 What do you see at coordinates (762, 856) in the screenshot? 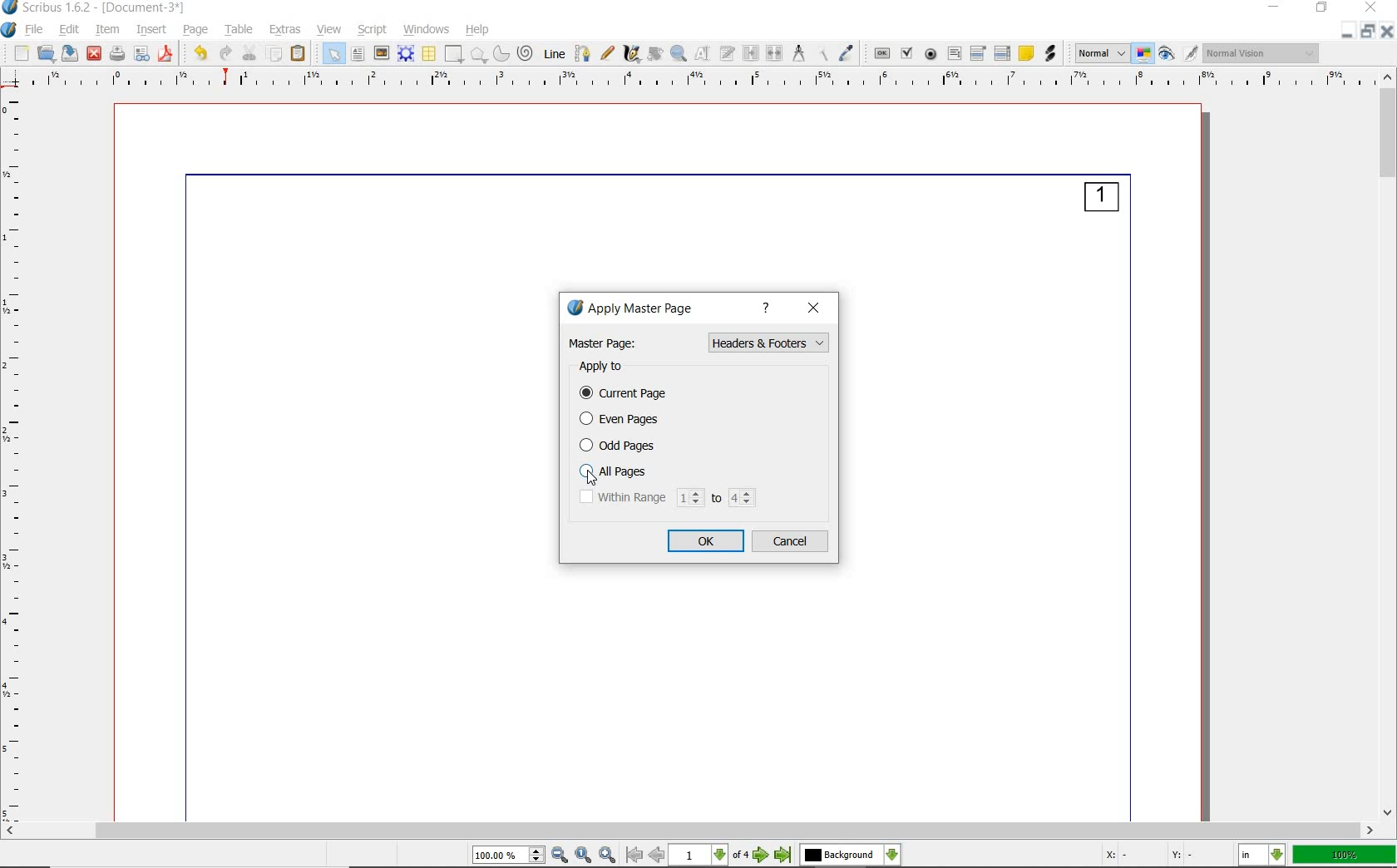
I see `go to next page` at bounding box center [762, 856].